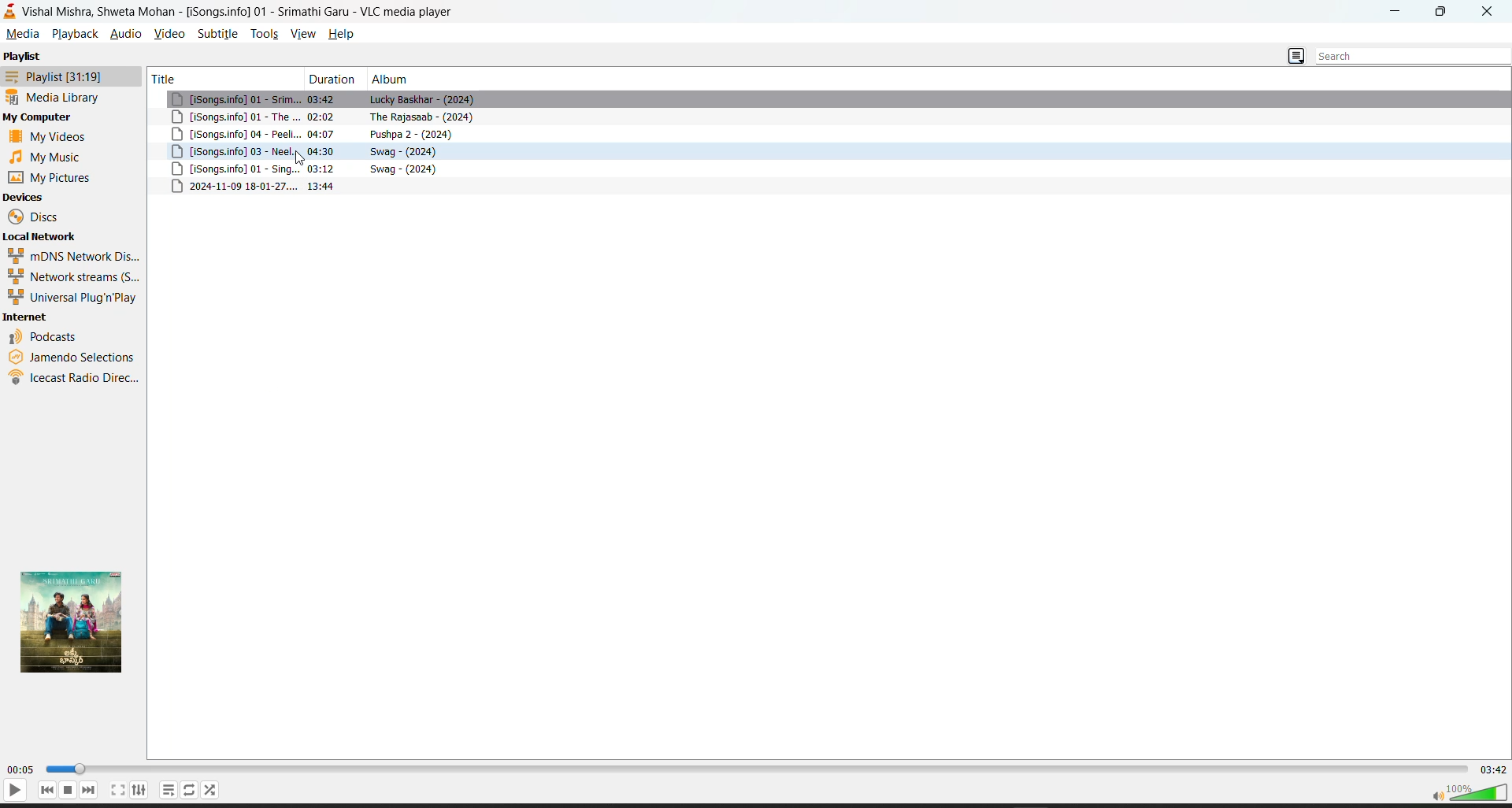  Describe the element at coordinates (139, 790) in the screenshot. I see `settings` at that location.